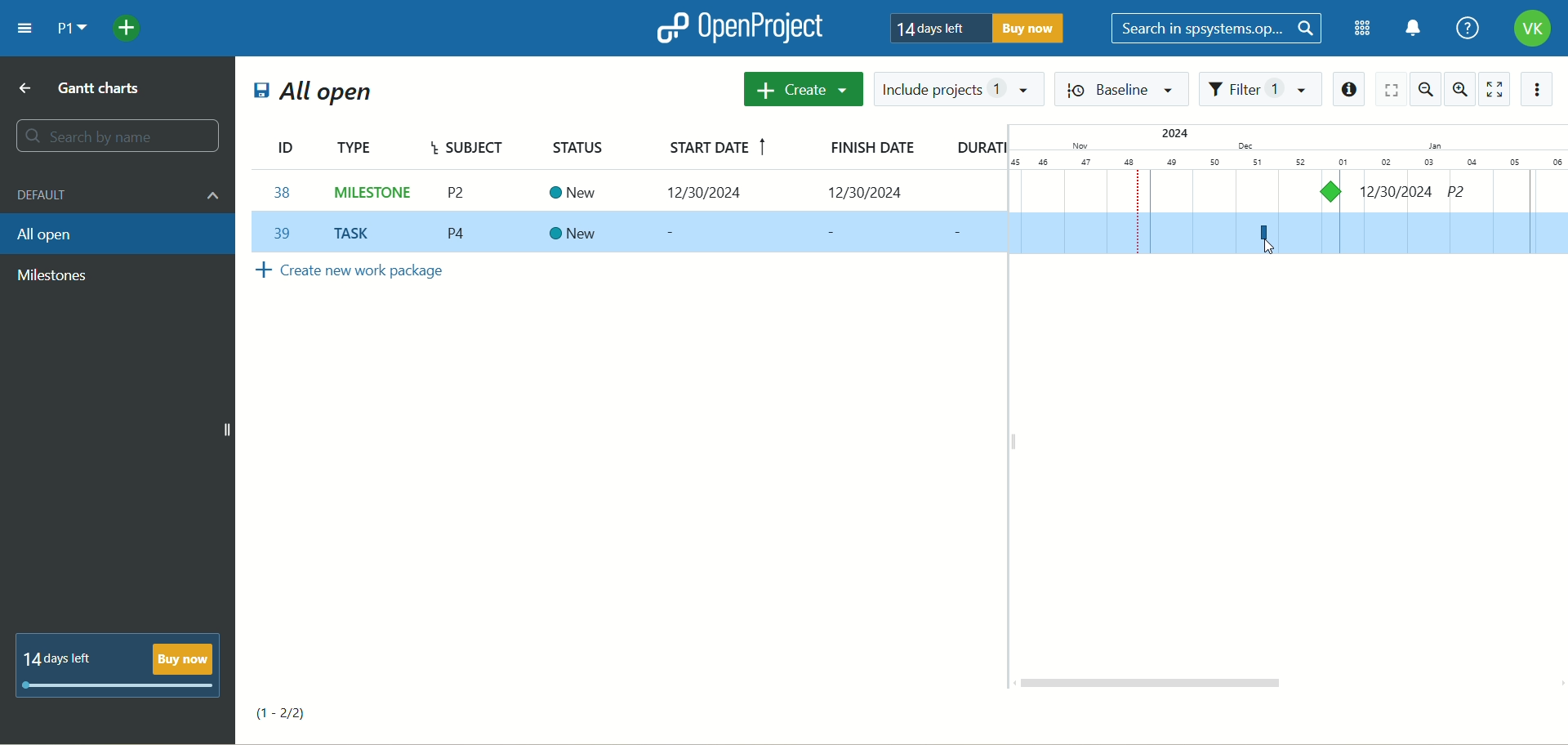 The height and width of the screenshot is (745, 1568). What do you see at coordinates (288, 141) in the screenshot?
I see `ID` at bounding box center [288, 141].